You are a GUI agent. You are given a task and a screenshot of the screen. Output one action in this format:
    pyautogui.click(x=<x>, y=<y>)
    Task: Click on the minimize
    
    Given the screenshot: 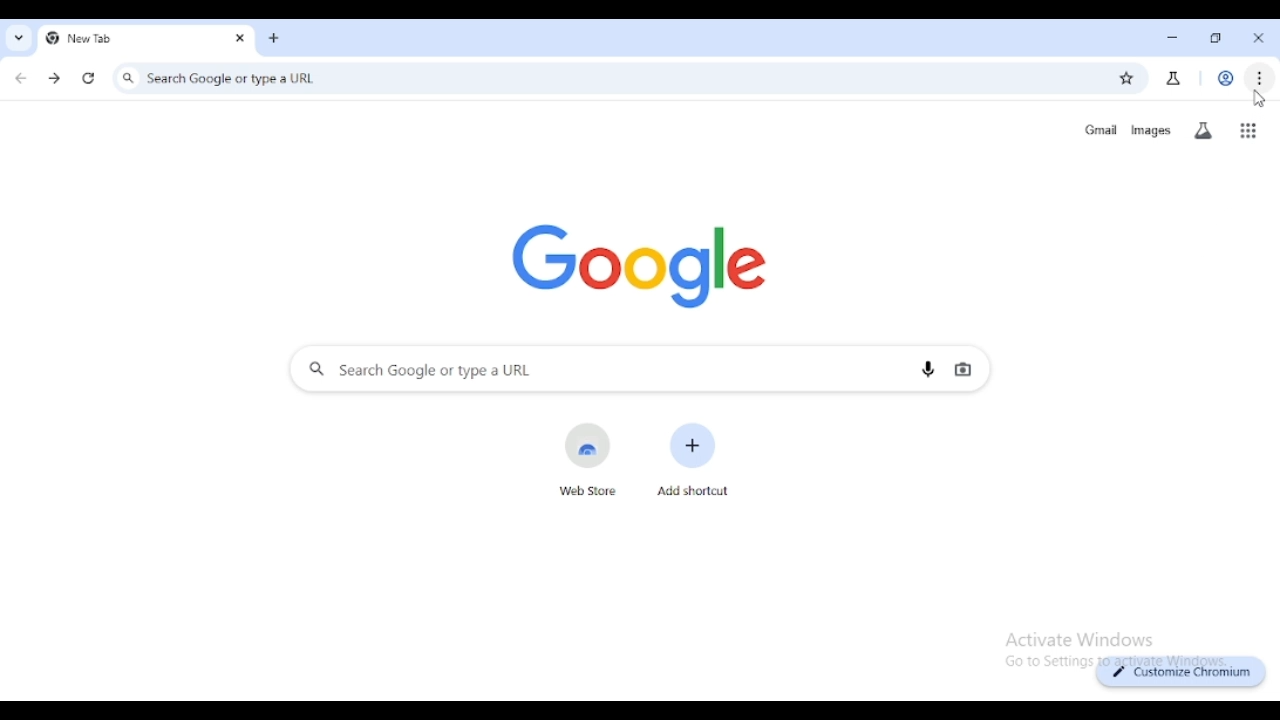 What is the action you would take?
    pyautogui.click(x=1173, y=39)
    